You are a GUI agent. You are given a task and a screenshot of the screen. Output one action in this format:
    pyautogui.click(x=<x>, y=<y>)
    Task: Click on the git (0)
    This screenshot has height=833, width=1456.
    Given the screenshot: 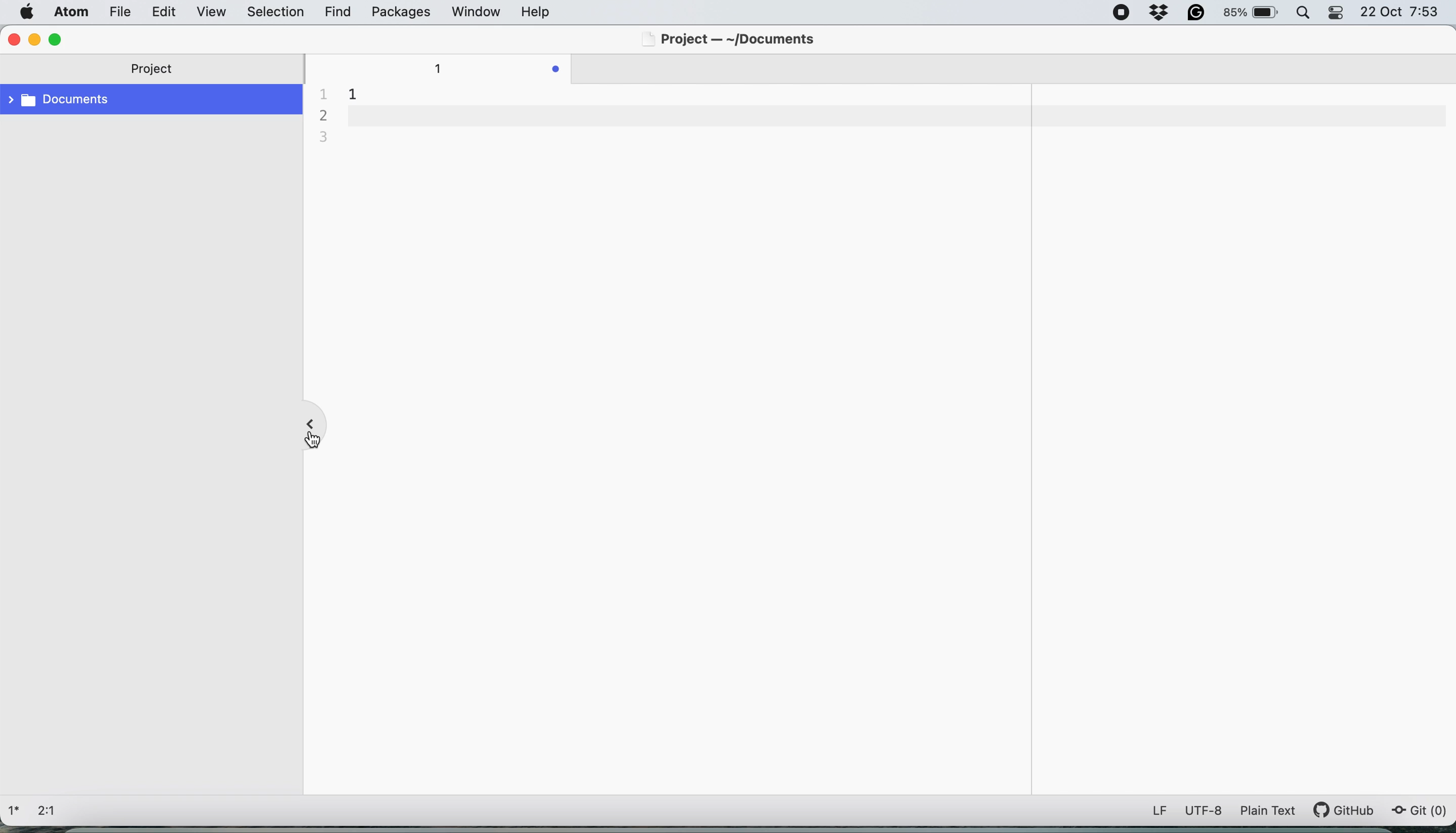 What is the action you would take?
    pyautogui.click(x=1419, y=811)
    